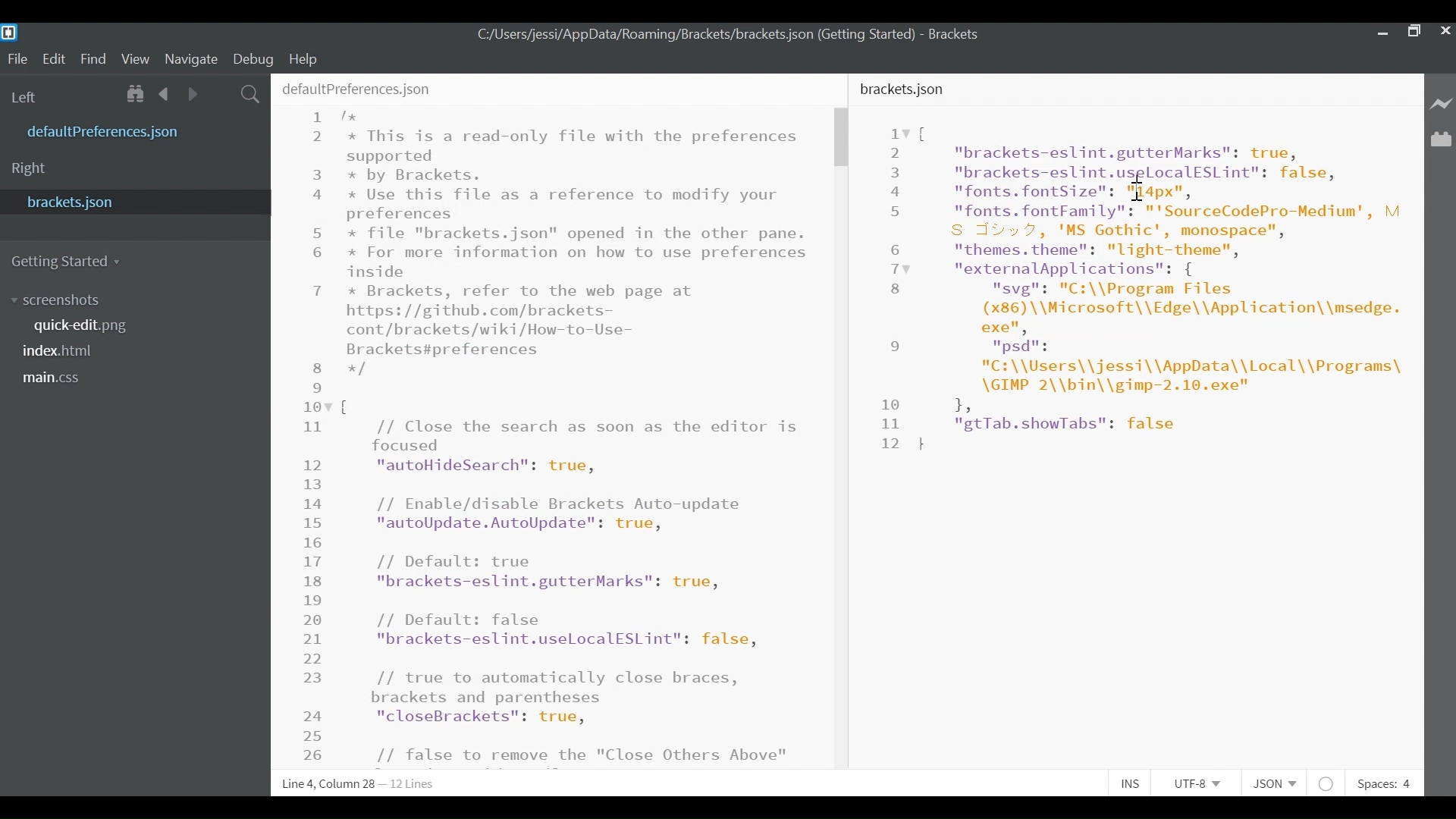 Image resolution: width=1456 pixels, height=819 pixels. Describe the element at coordinates (27, 96) in the screenshot. I see `Left` at that location.